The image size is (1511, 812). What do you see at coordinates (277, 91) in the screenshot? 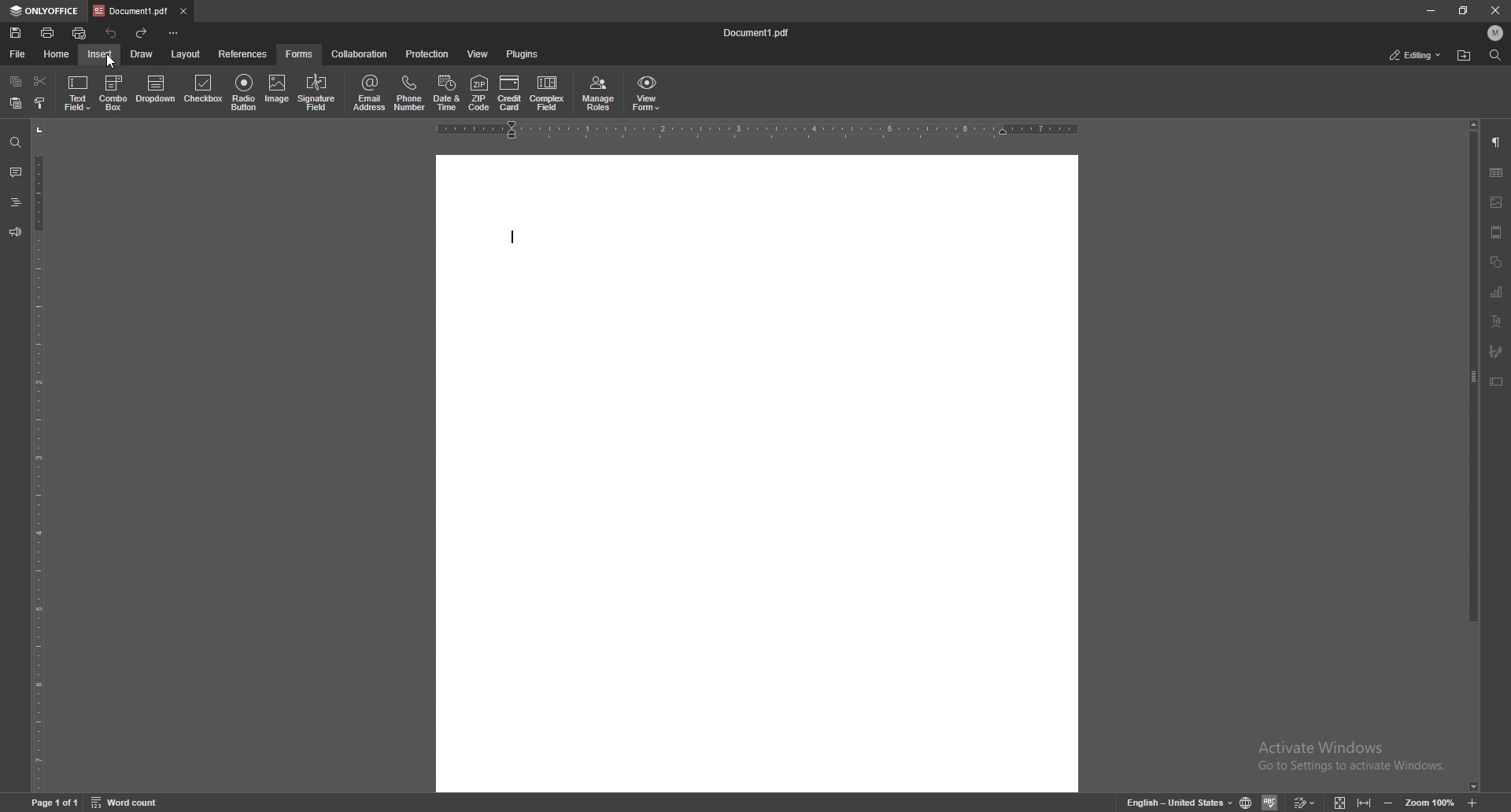
I see `image` at bounding box center [277, 91].